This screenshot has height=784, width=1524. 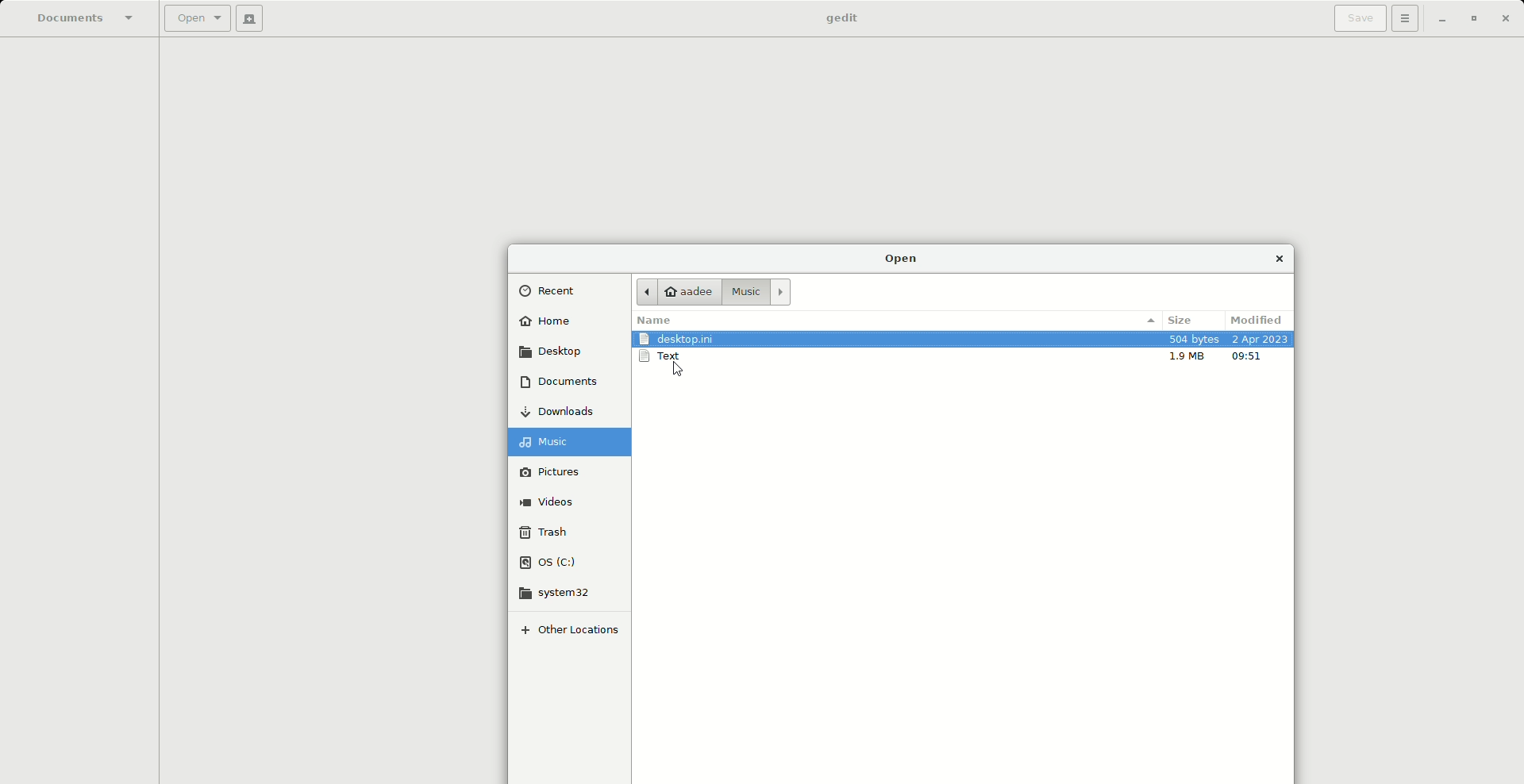 I want to click on Other locations, so click(x=572, y=633).